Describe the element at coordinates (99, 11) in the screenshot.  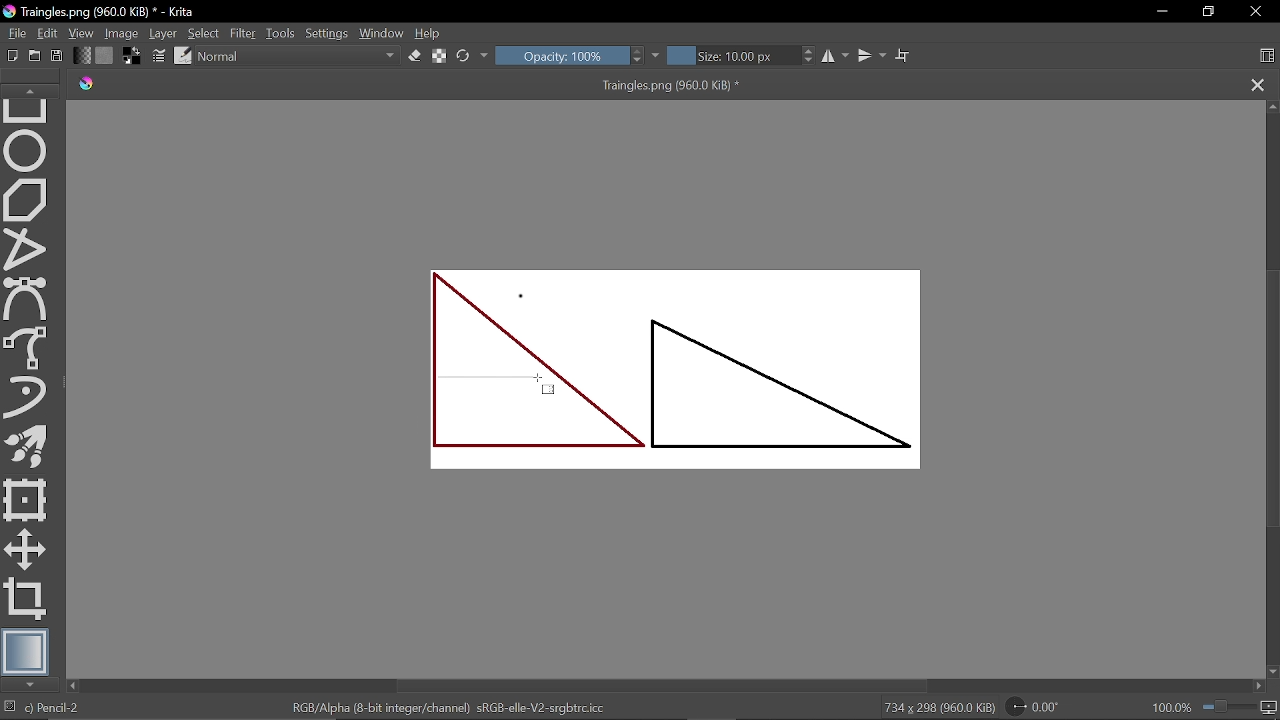
I see `Traingles.png (960.0 KiB) * - Krita` at that location.